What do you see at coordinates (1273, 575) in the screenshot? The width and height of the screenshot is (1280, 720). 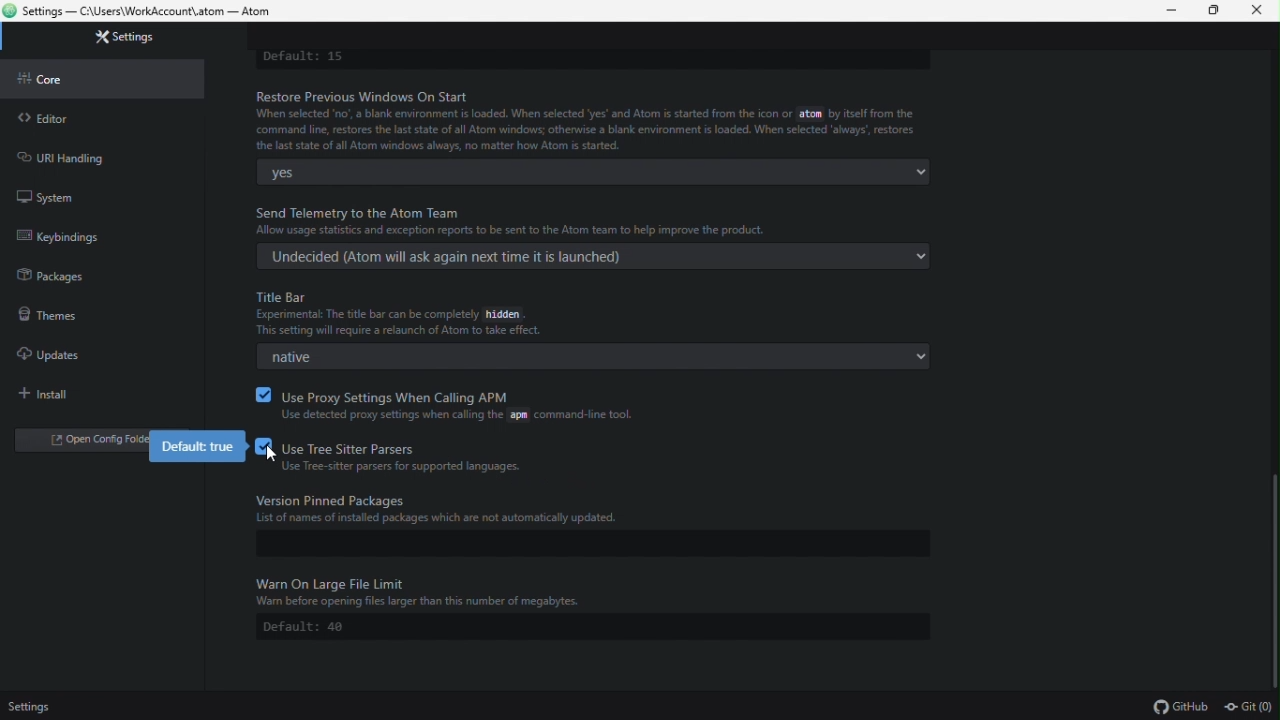 I see `scroll bar` at bounding box center [1273, 575].